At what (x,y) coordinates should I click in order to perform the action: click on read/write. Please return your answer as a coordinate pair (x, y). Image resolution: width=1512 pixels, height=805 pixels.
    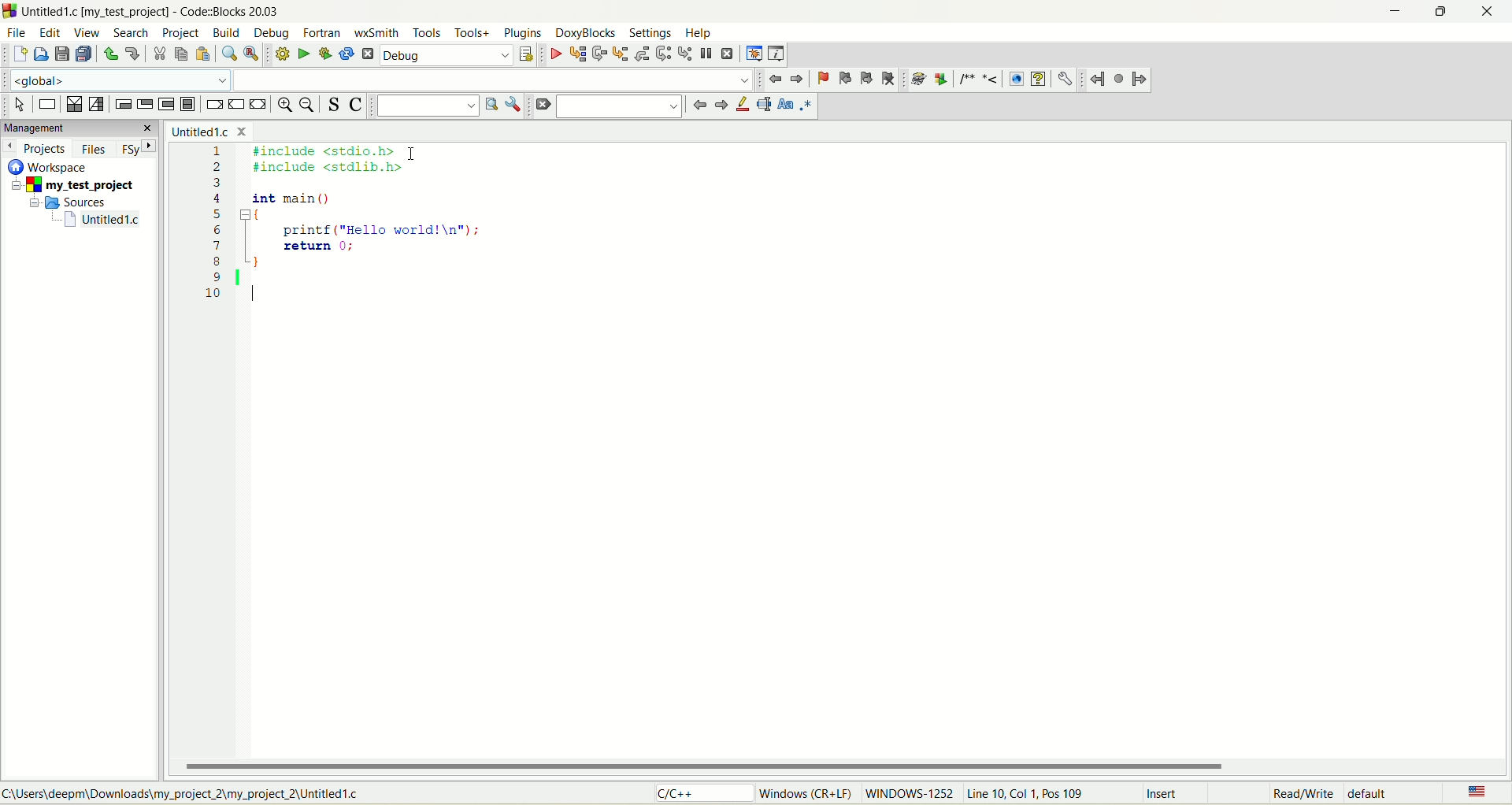
    Looking at the image, I should click on (1305, 793).